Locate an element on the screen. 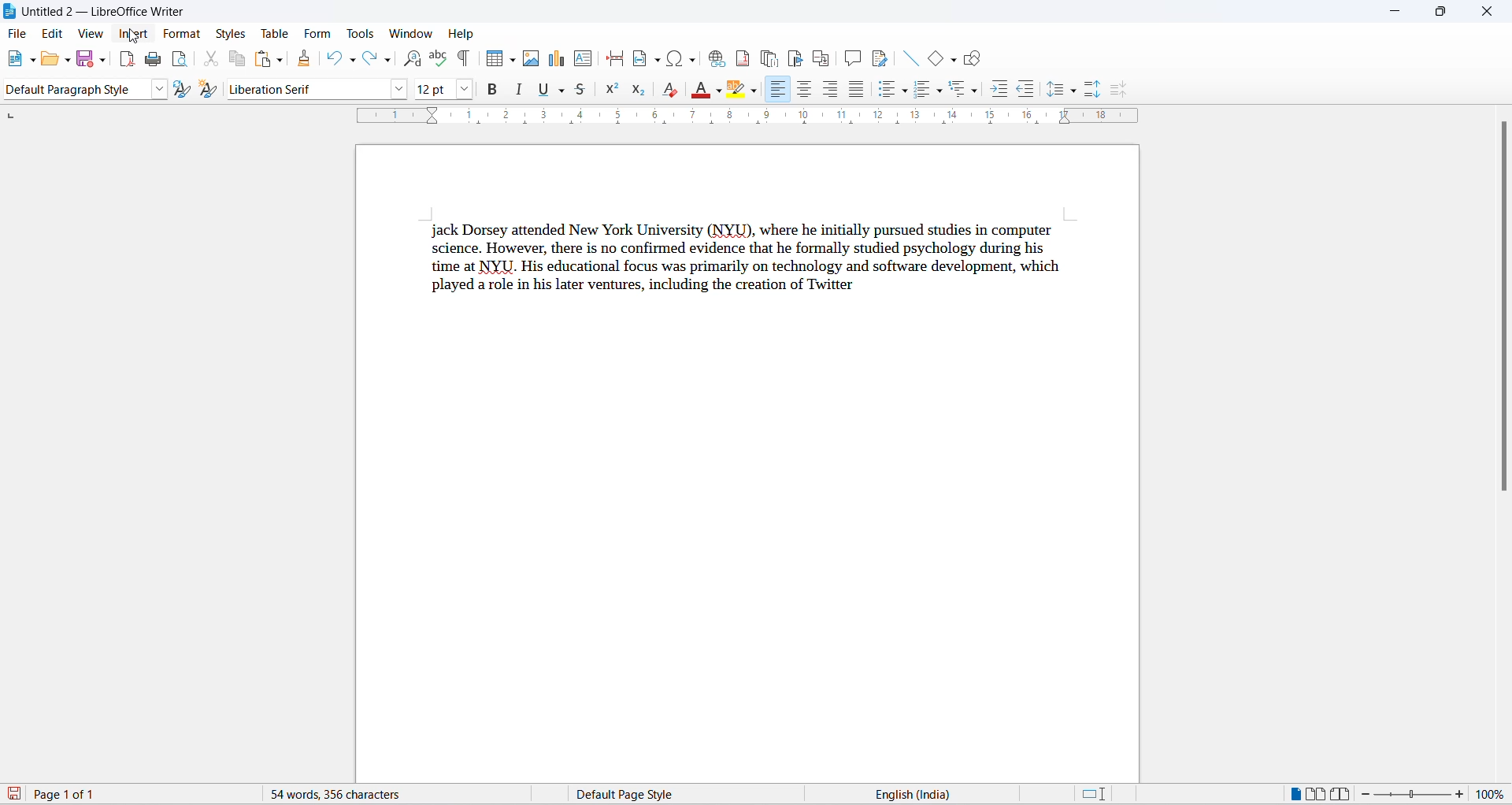 Image resolution: width=1512 pixels, height=805 pixels. italics is located at coordinates (519, 88).